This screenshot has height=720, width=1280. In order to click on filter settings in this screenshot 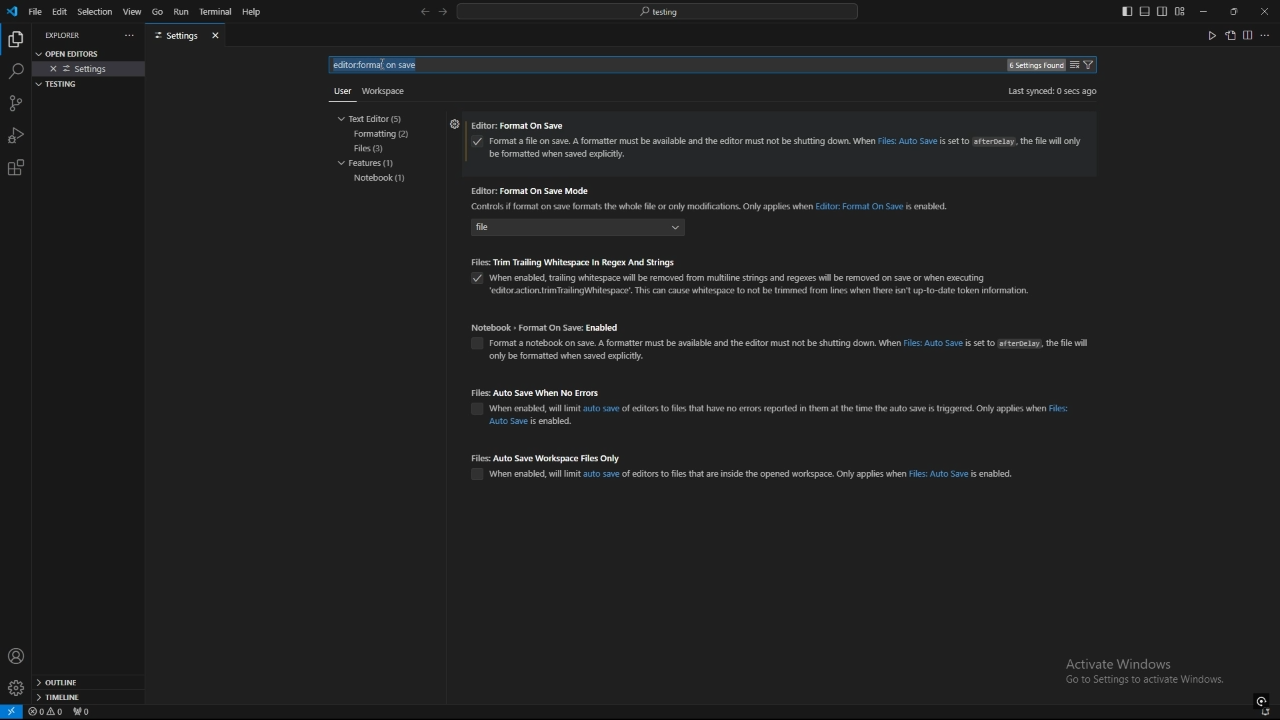, I will do `click(1092, 65)`.